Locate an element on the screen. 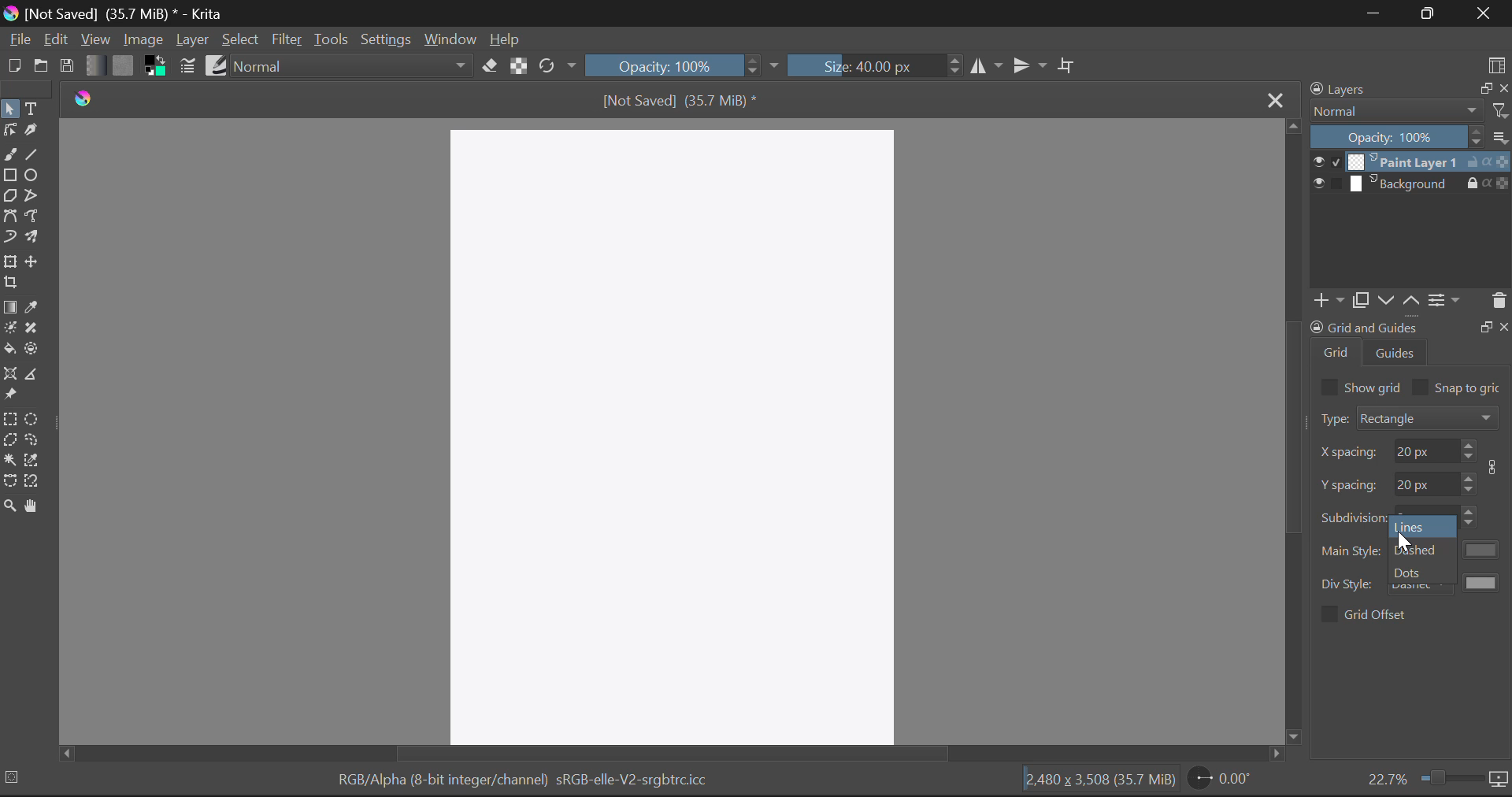 Image resolution: width=1512 pixels, height=797 pixels. Brush Settings is located at coordinates (186, 67).